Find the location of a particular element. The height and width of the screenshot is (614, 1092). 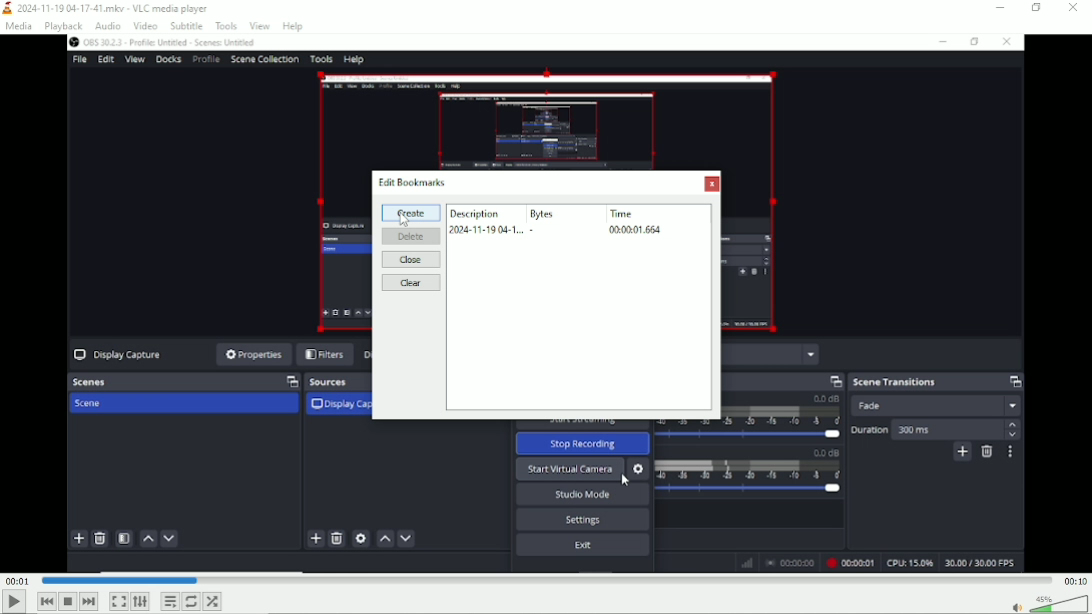

Play is located at coordinates (14, 602).